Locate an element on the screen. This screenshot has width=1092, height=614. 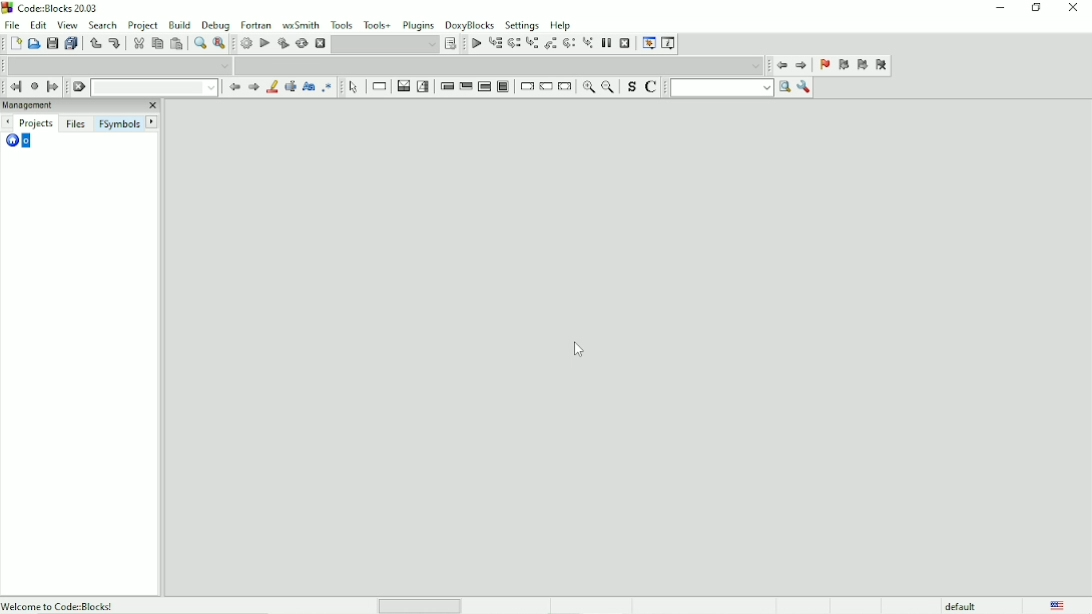
wxSmith is located at coordinates (302, 25).